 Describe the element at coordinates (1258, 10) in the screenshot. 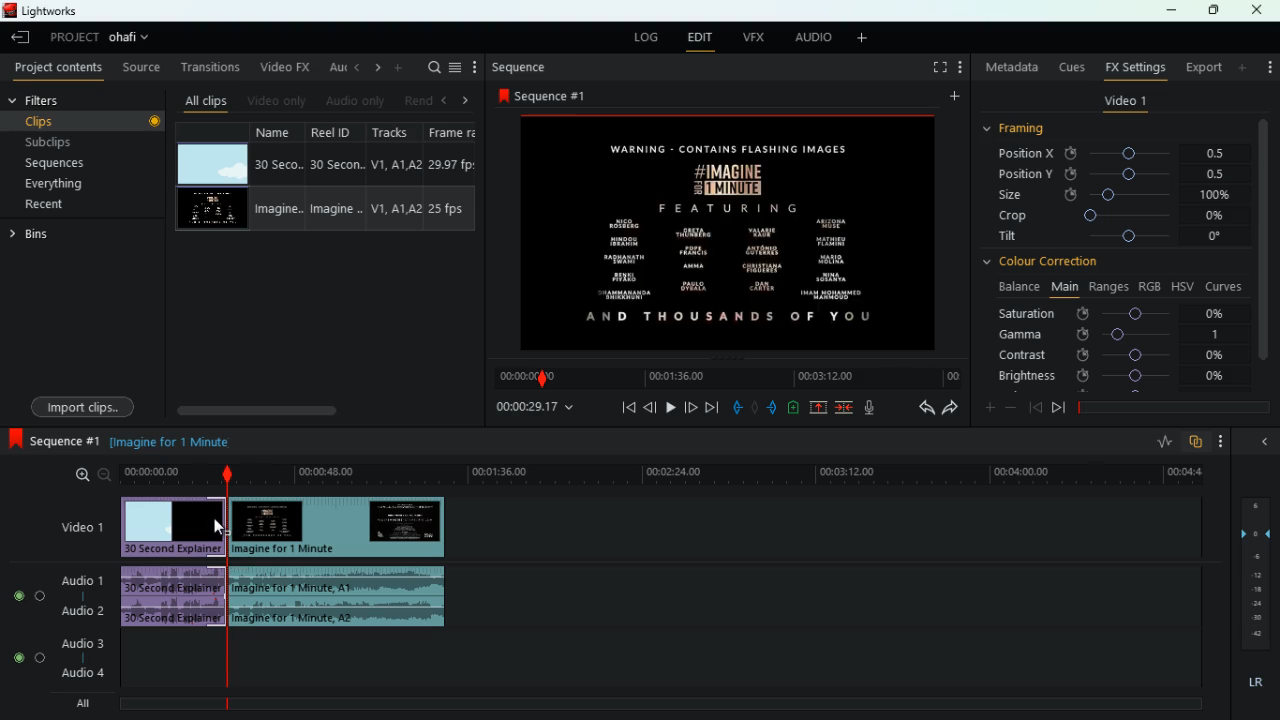

I see `close` at that location.